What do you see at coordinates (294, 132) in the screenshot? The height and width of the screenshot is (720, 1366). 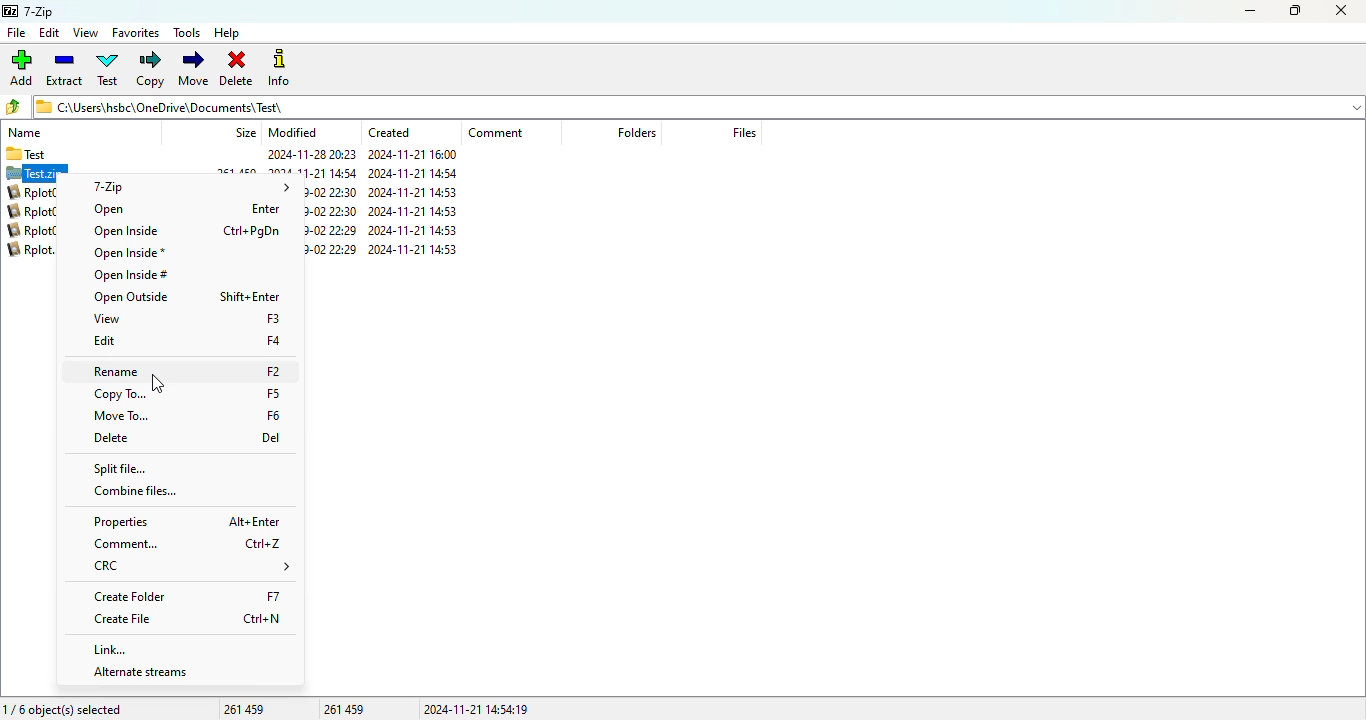 I see `modified` at bounding box center [294, 132].